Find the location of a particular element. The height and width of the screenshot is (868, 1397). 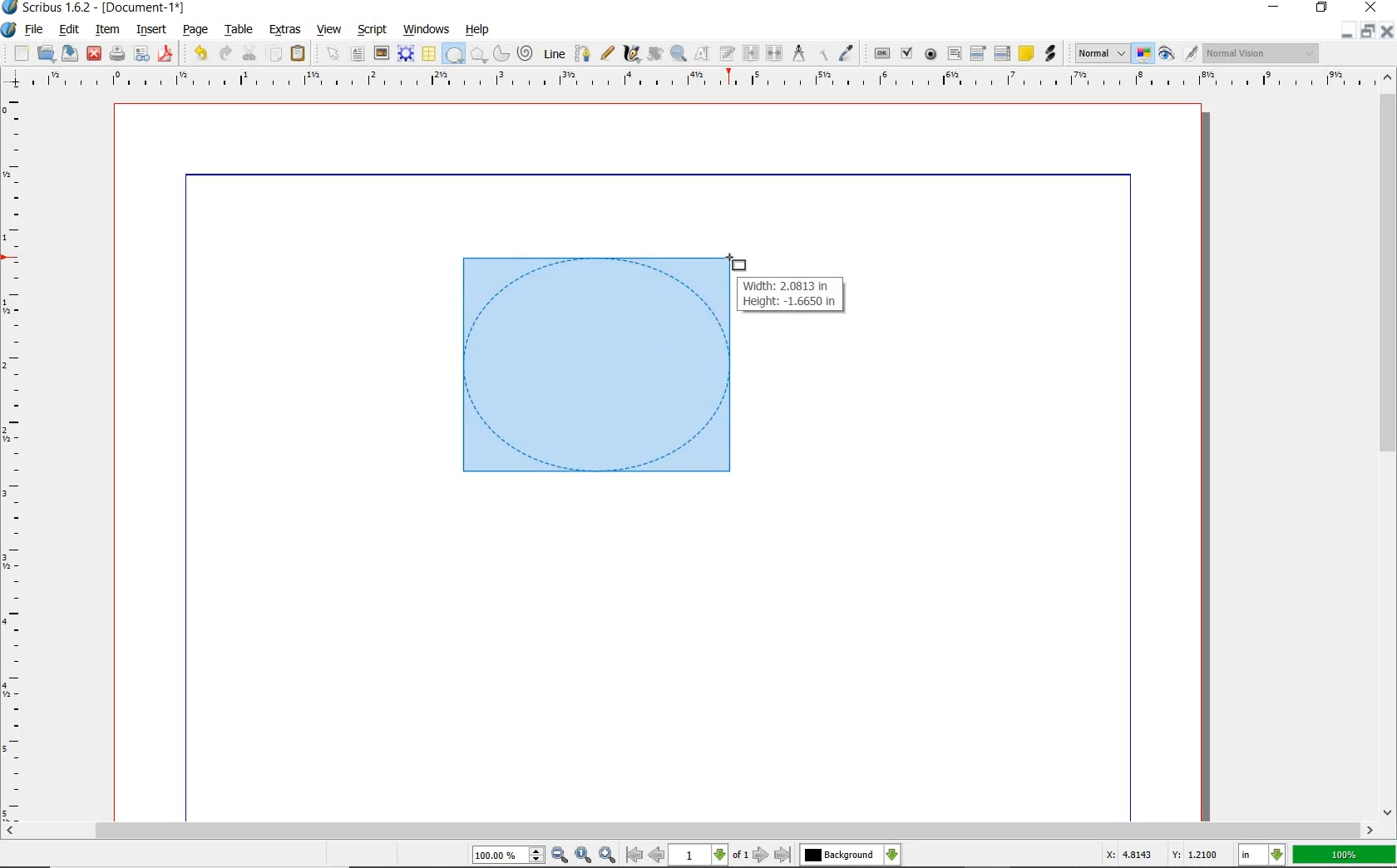

zoom  is located at coordinates (510, 856).